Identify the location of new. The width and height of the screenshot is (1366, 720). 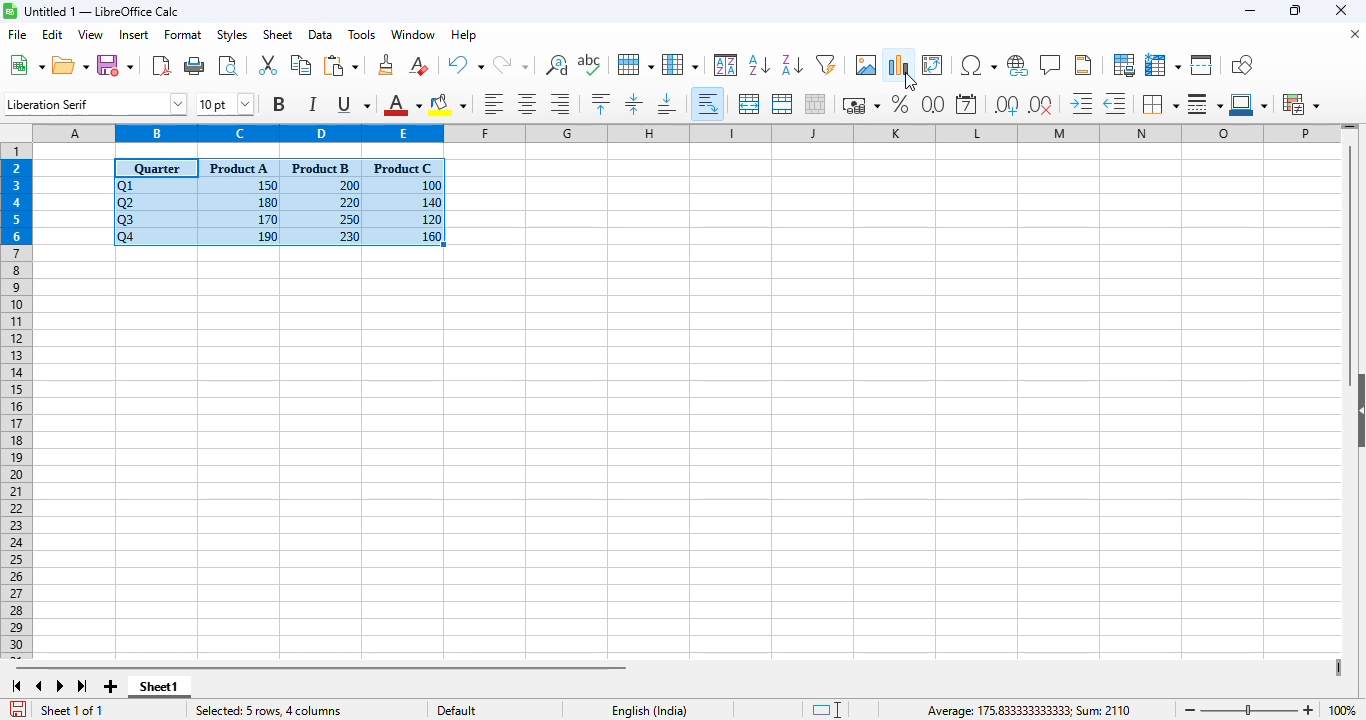
(26, 64).